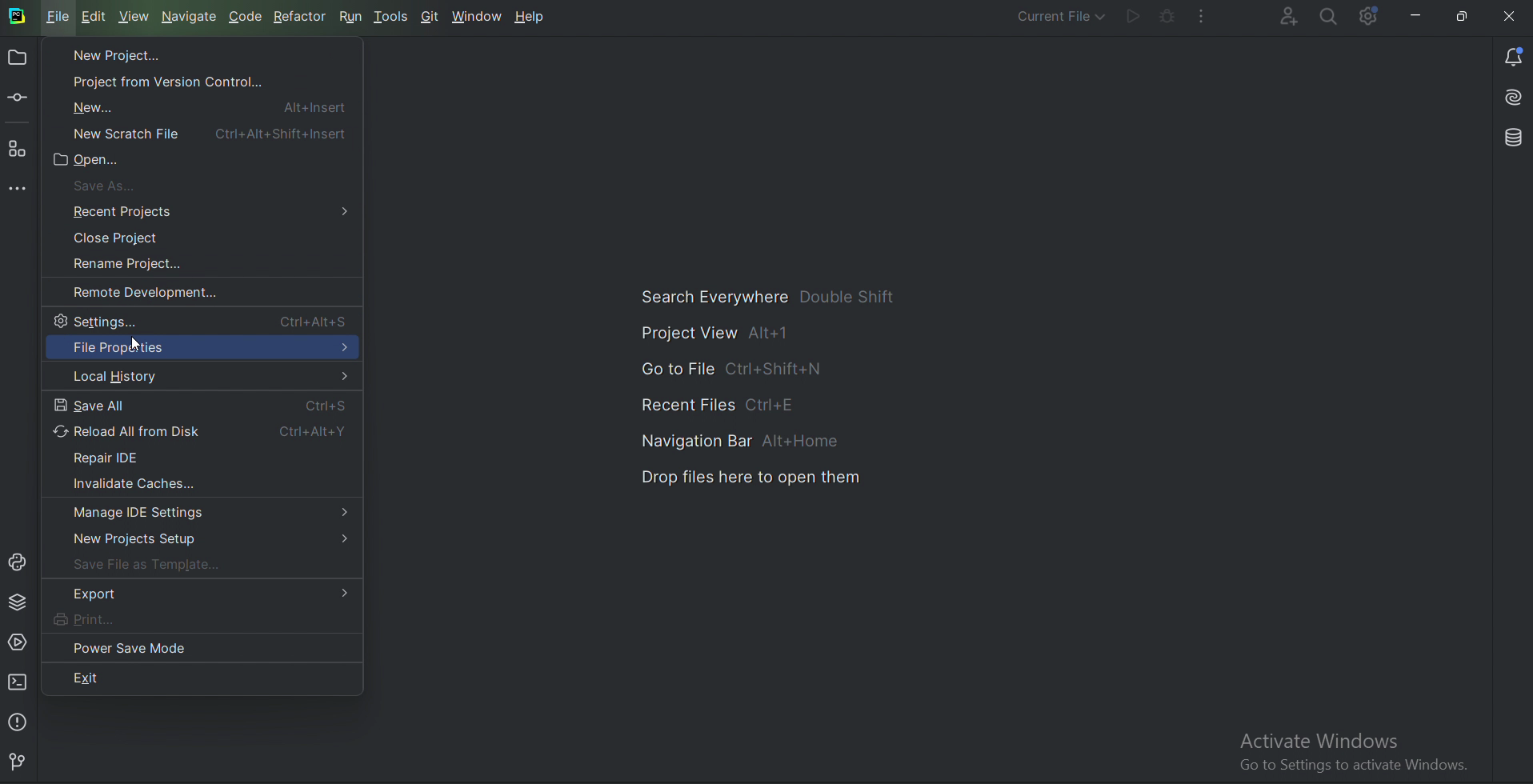  I want to click on Tools, so click(394, 16).